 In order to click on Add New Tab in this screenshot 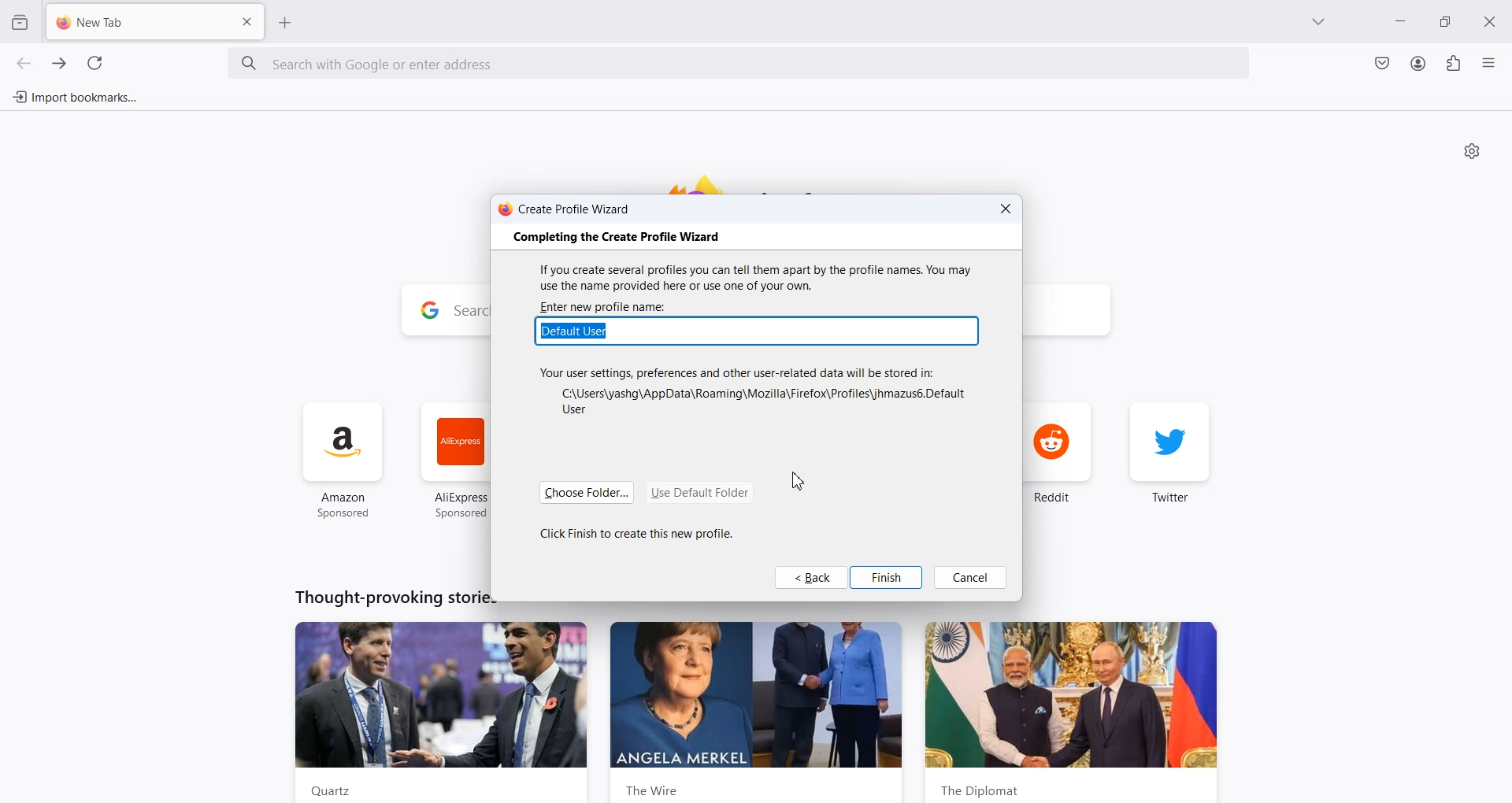, I will do `click(286, 22)`.